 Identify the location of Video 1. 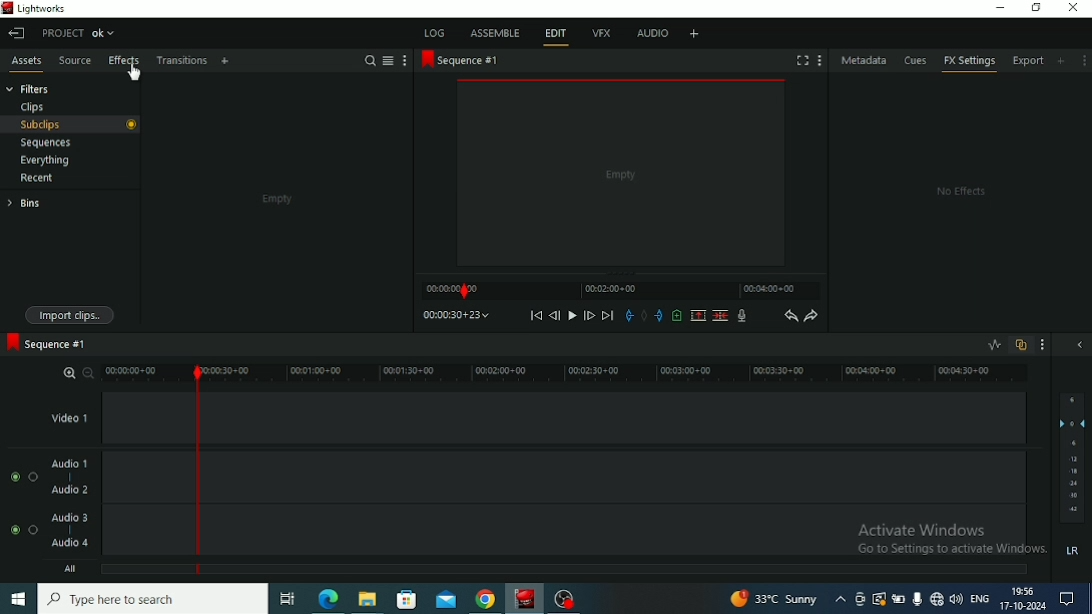
(100, 419).